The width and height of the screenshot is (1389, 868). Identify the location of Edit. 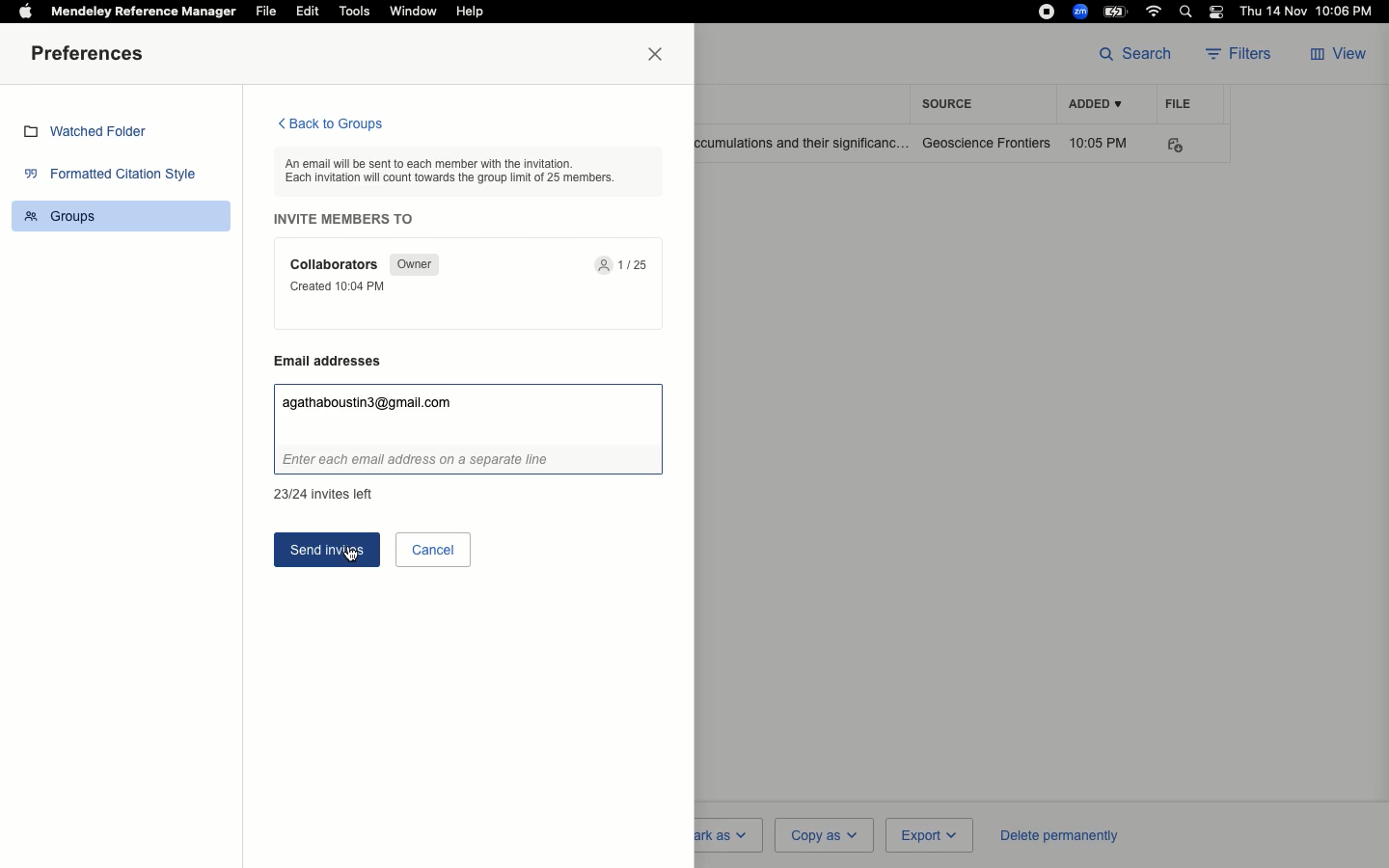
(308, 11).